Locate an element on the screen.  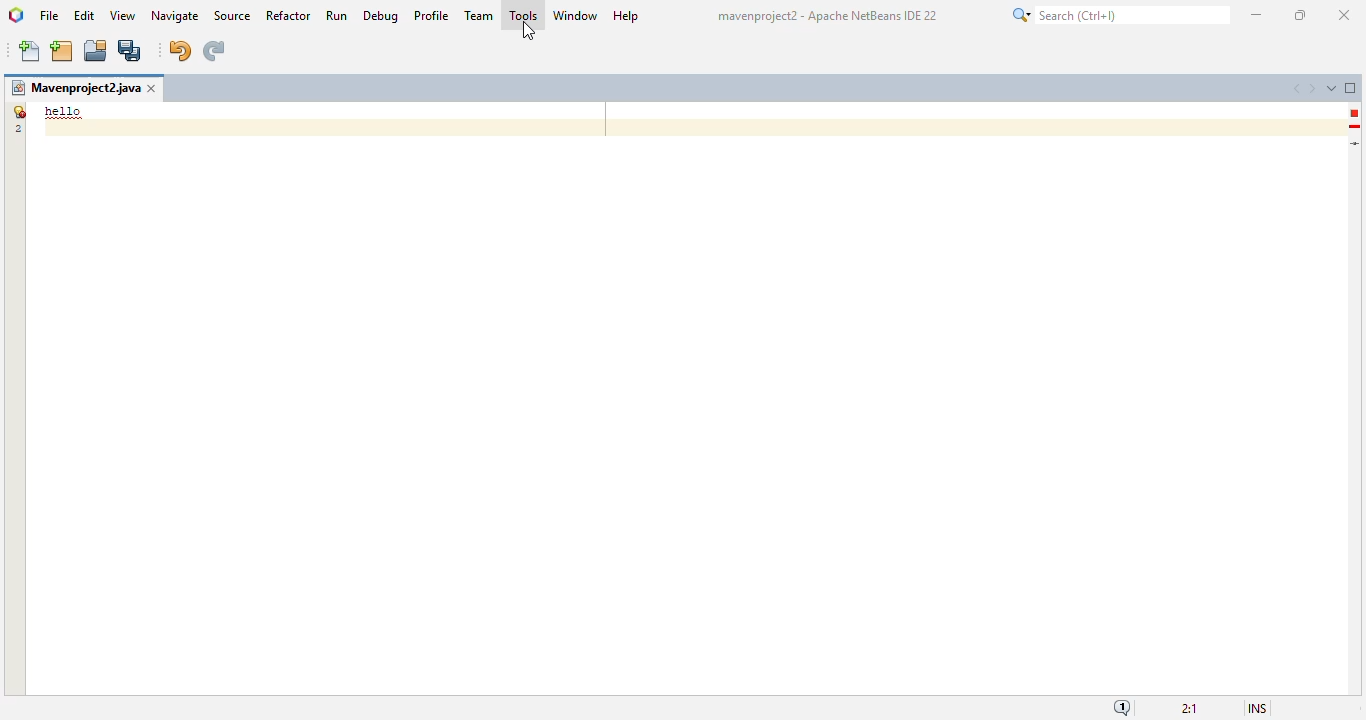
view is located at coordinates (123, 16).